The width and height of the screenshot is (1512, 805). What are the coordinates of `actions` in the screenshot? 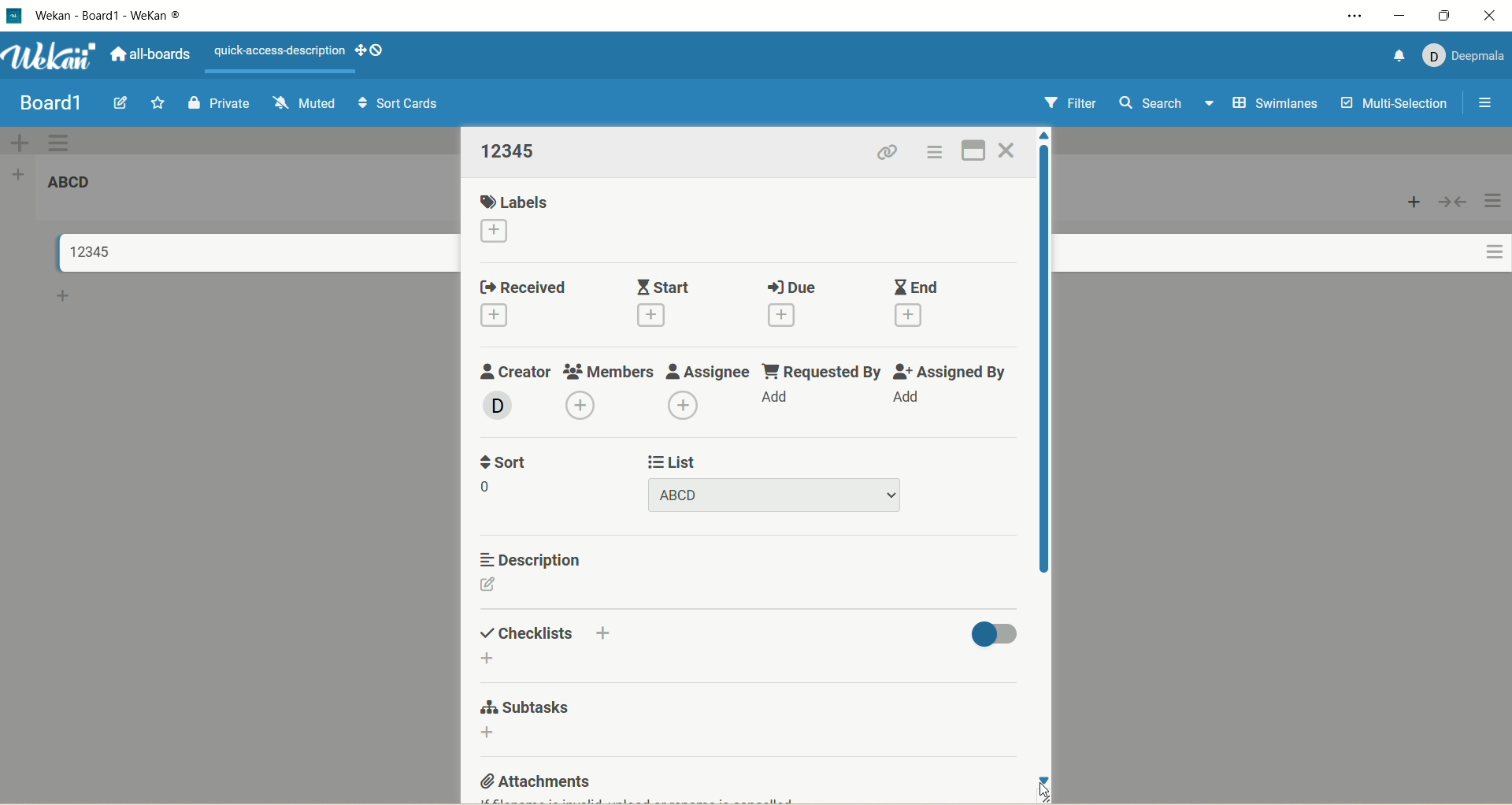 It's located at (932, 155).